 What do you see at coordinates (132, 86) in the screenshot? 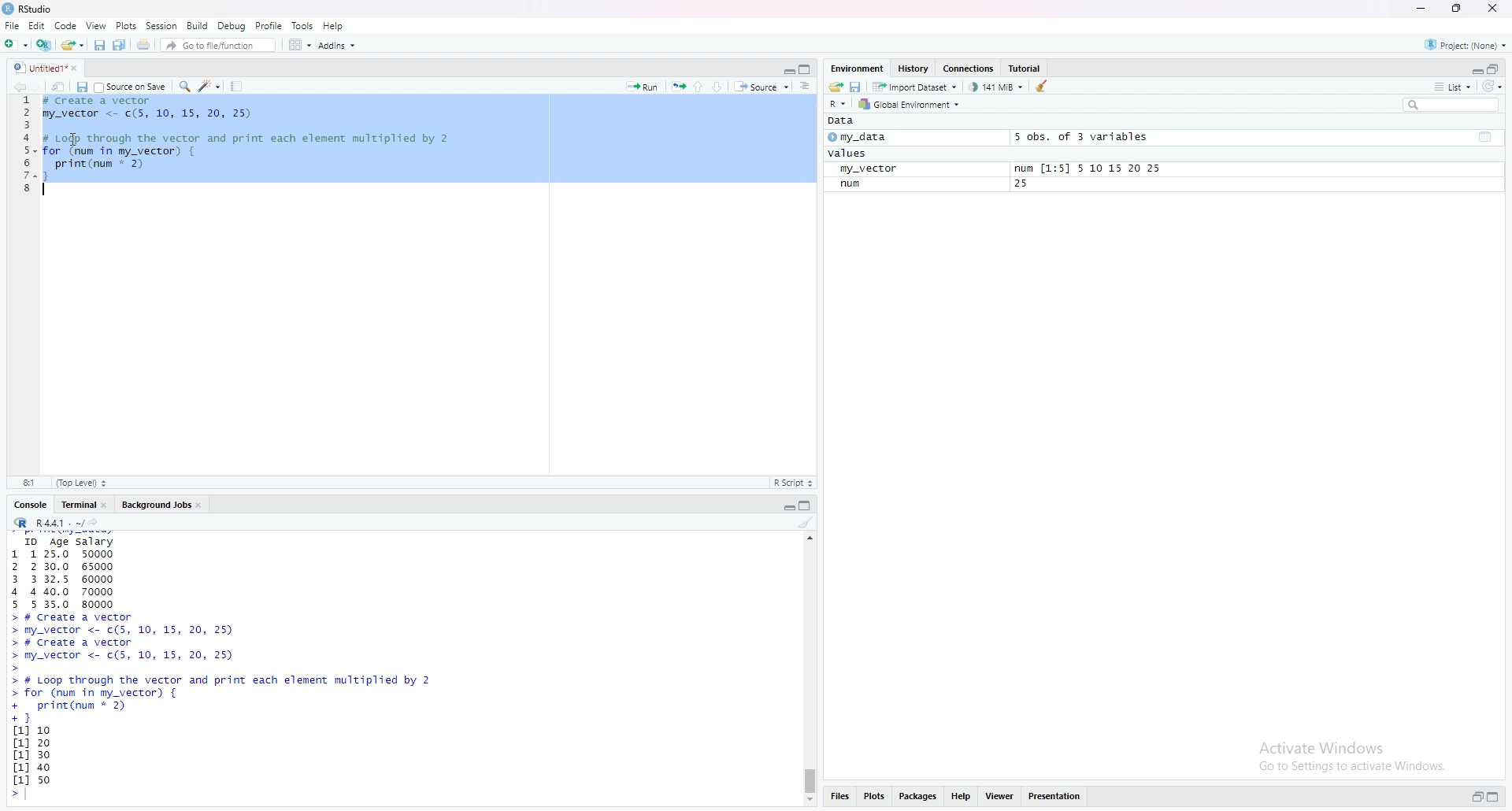
I see `source on save` at bounding box center [132, 86].